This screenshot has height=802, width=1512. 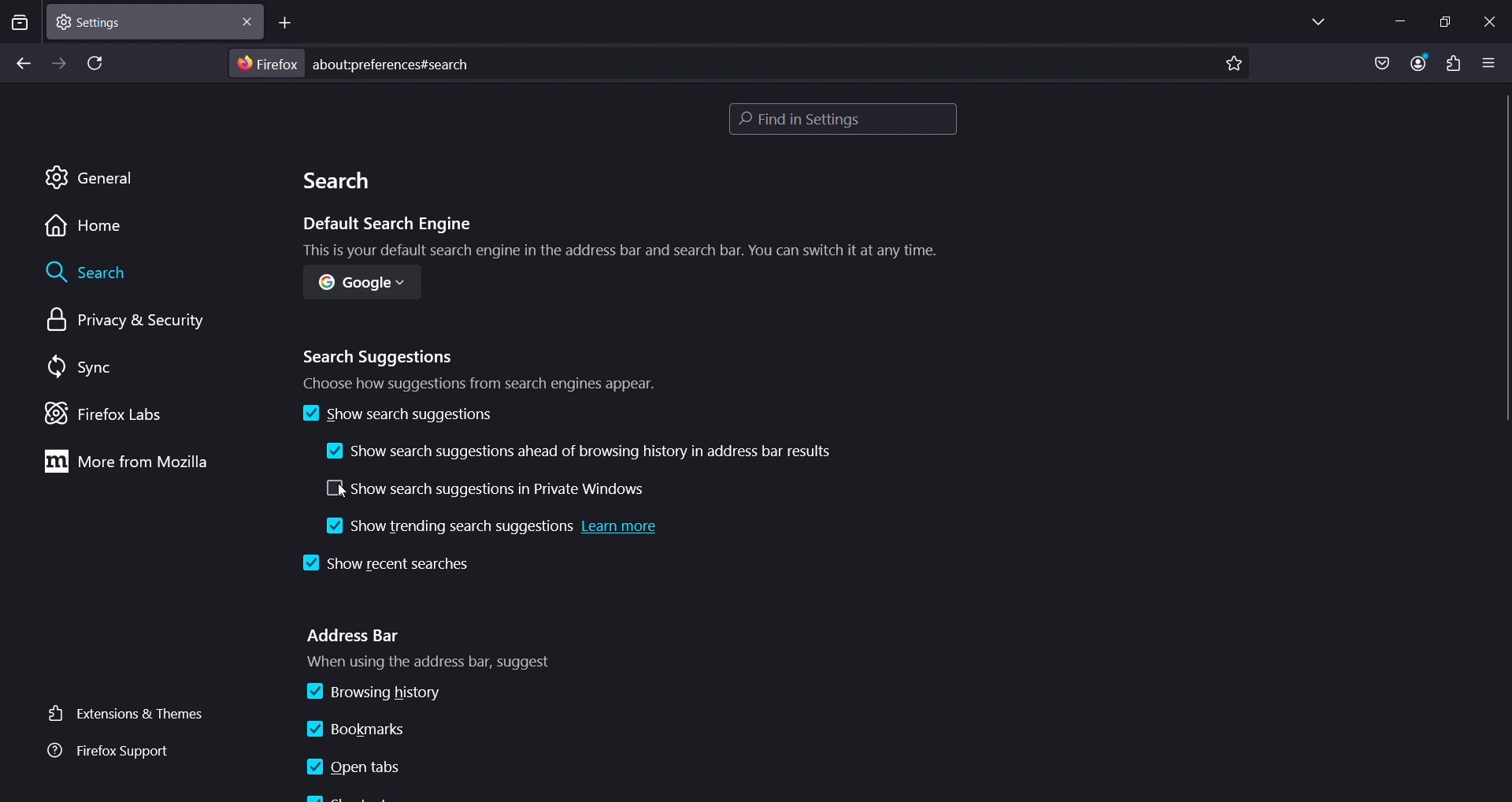 I want to click on search, so click(x=91, y=274).